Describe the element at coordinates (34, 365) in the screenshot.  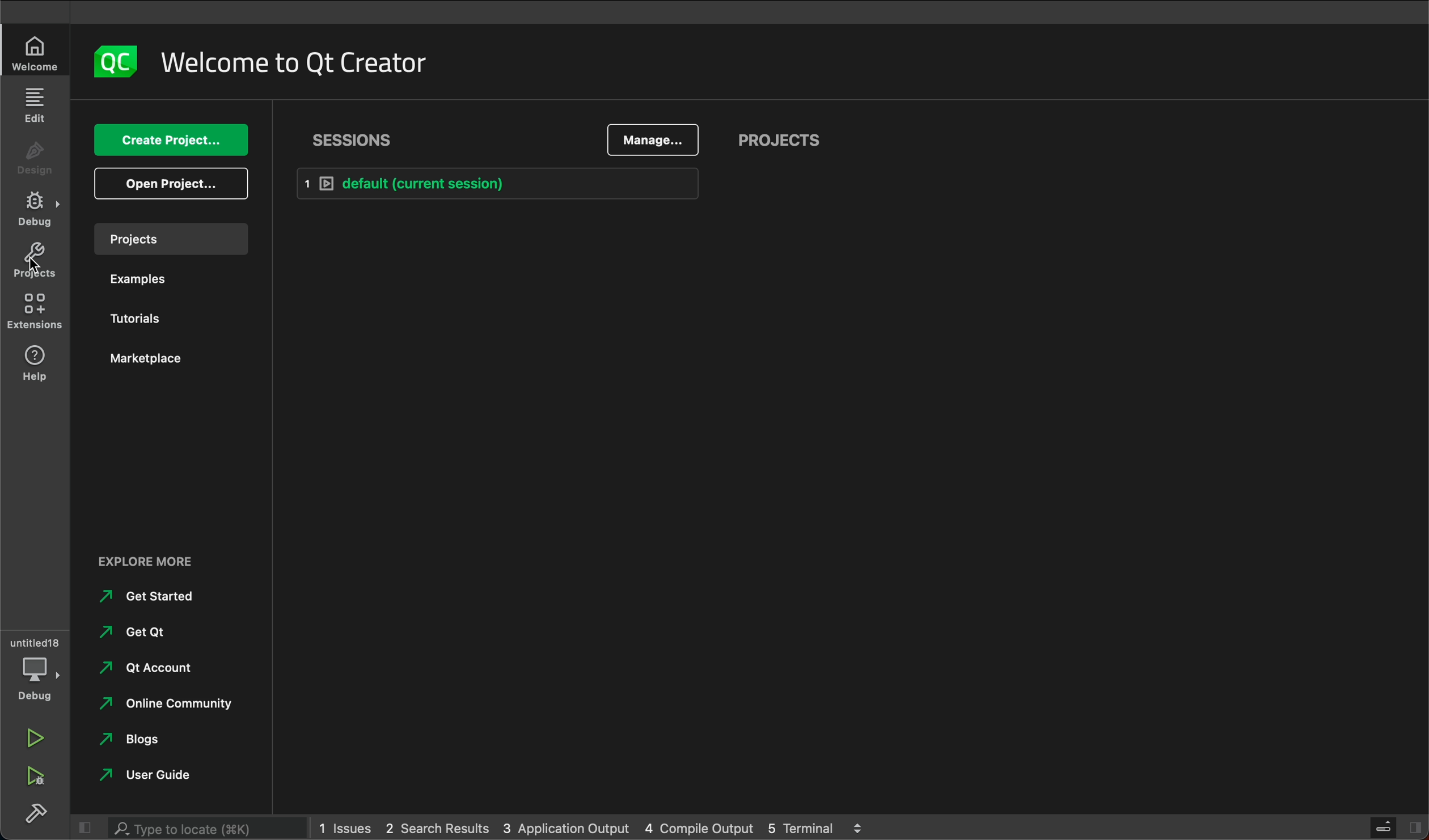
I see `help` at that location.